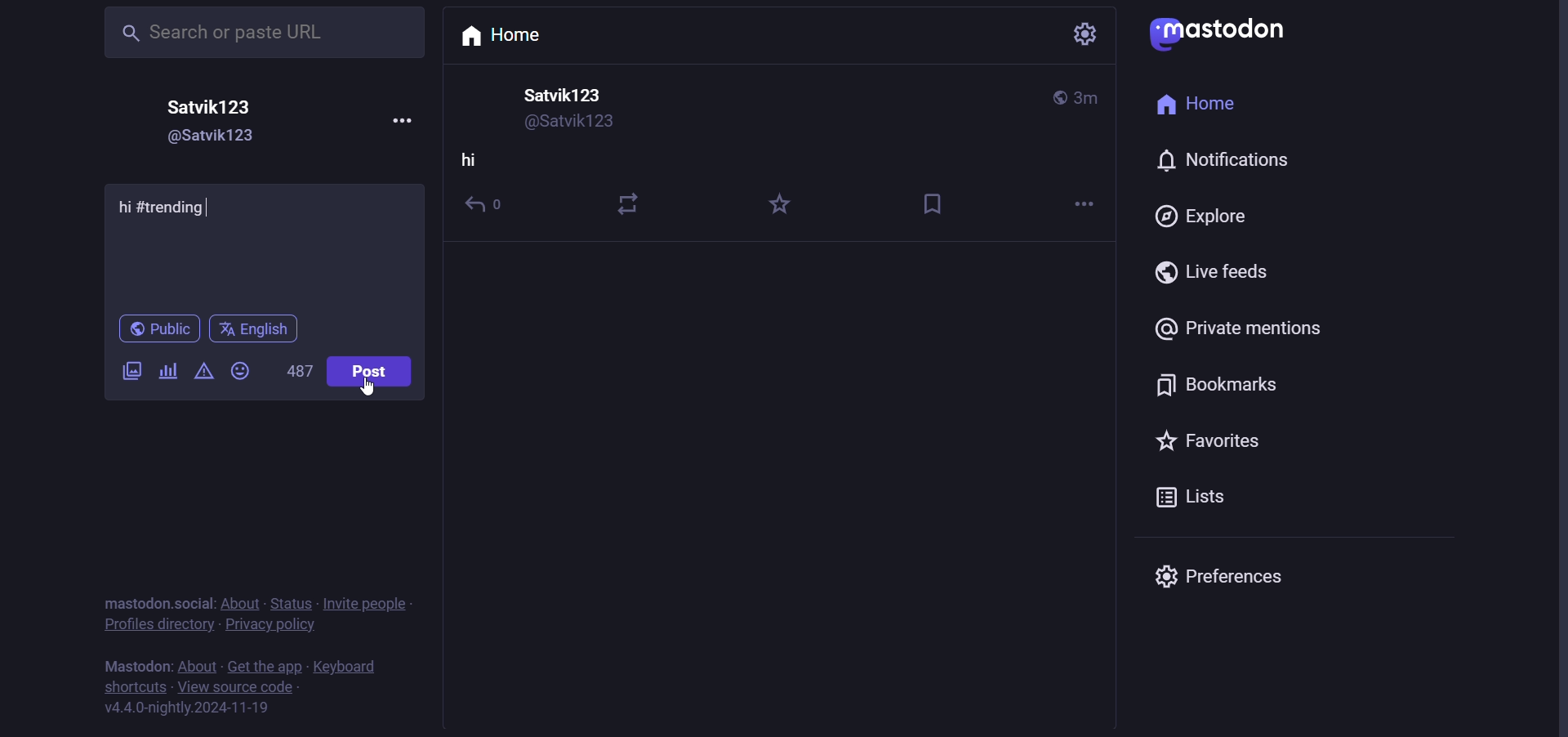  I want to click on live feed, so click(1212, 274).